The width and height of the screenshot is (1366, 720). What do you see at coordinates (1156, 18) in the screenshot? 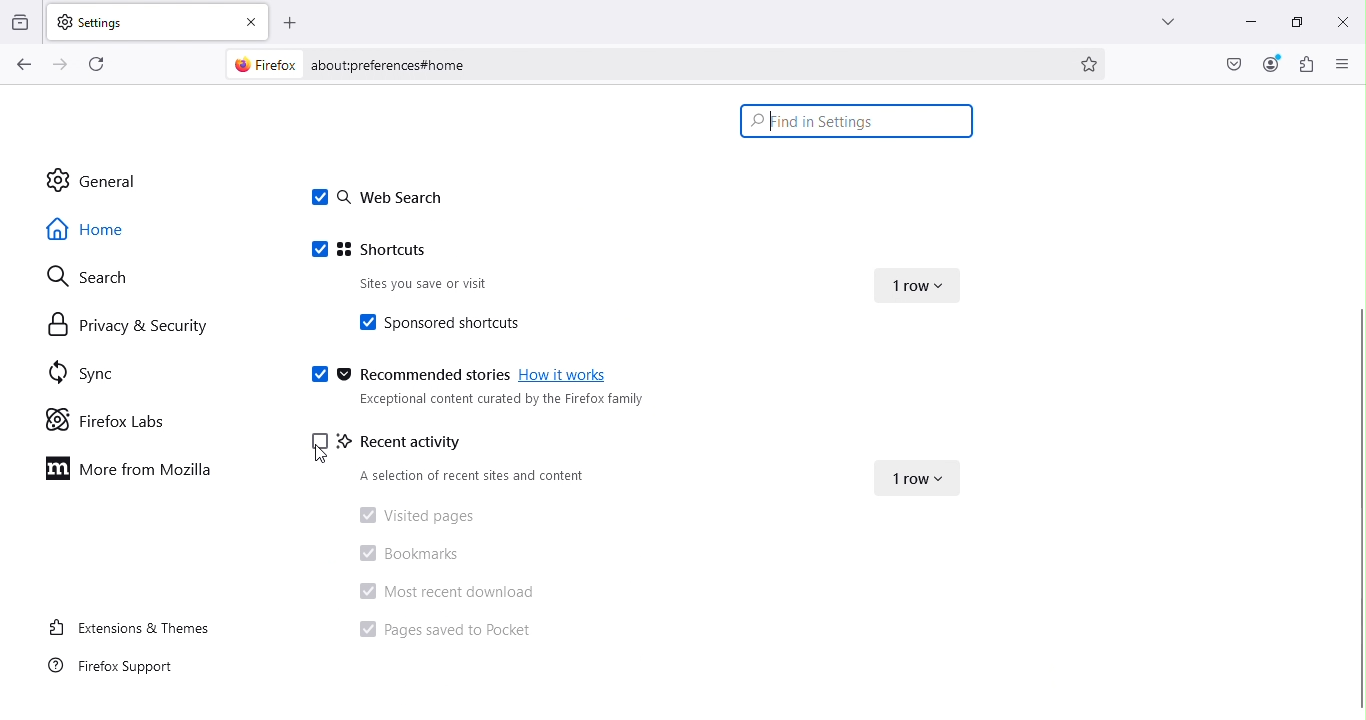
I see `List all tabs` at bounding box center [1156, 18].